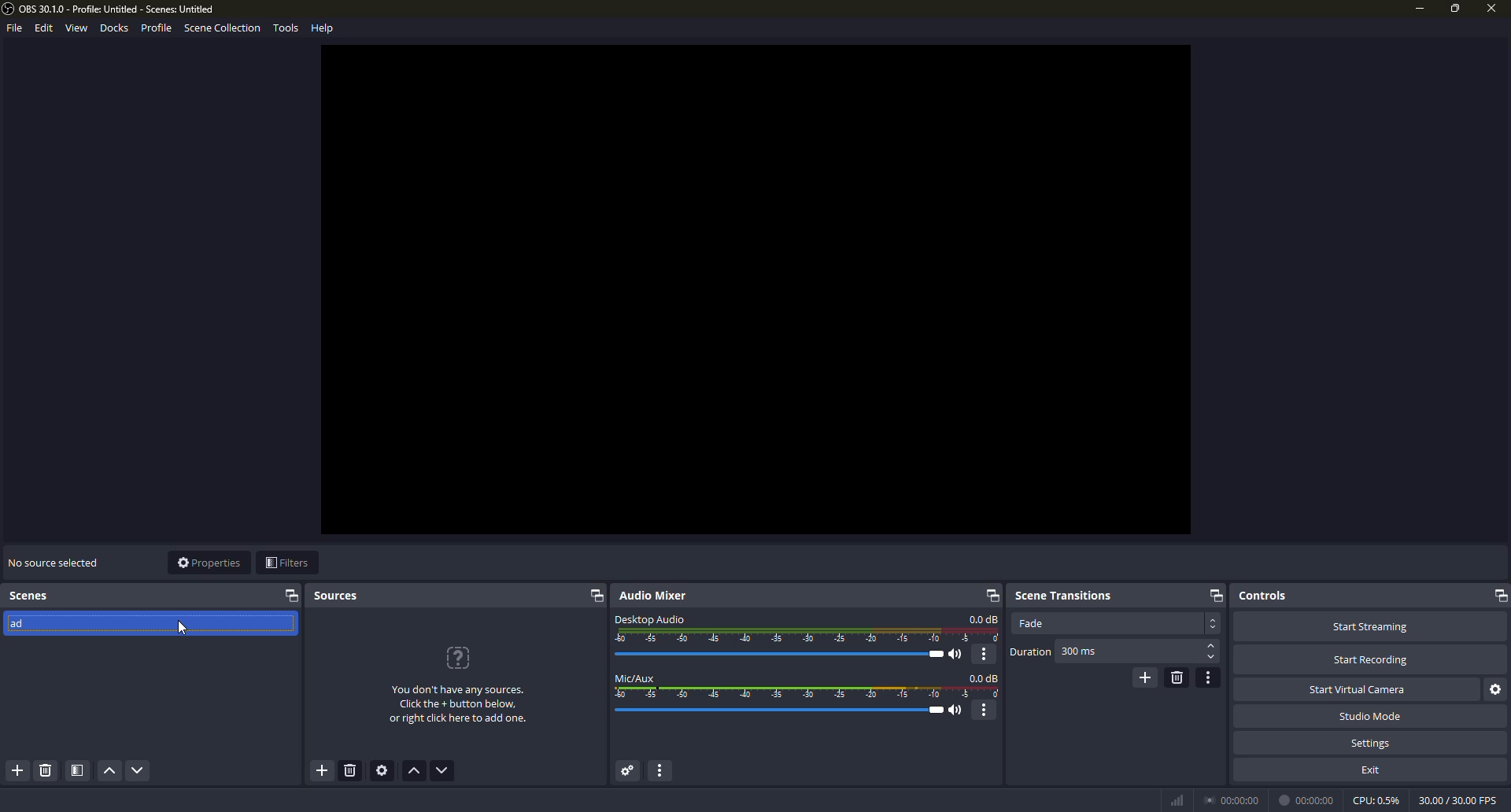 The width and height of the screenshot is (1511, 812). Describe the element at coordinates (324, 27) in the screenshot. I see `help` at that location.